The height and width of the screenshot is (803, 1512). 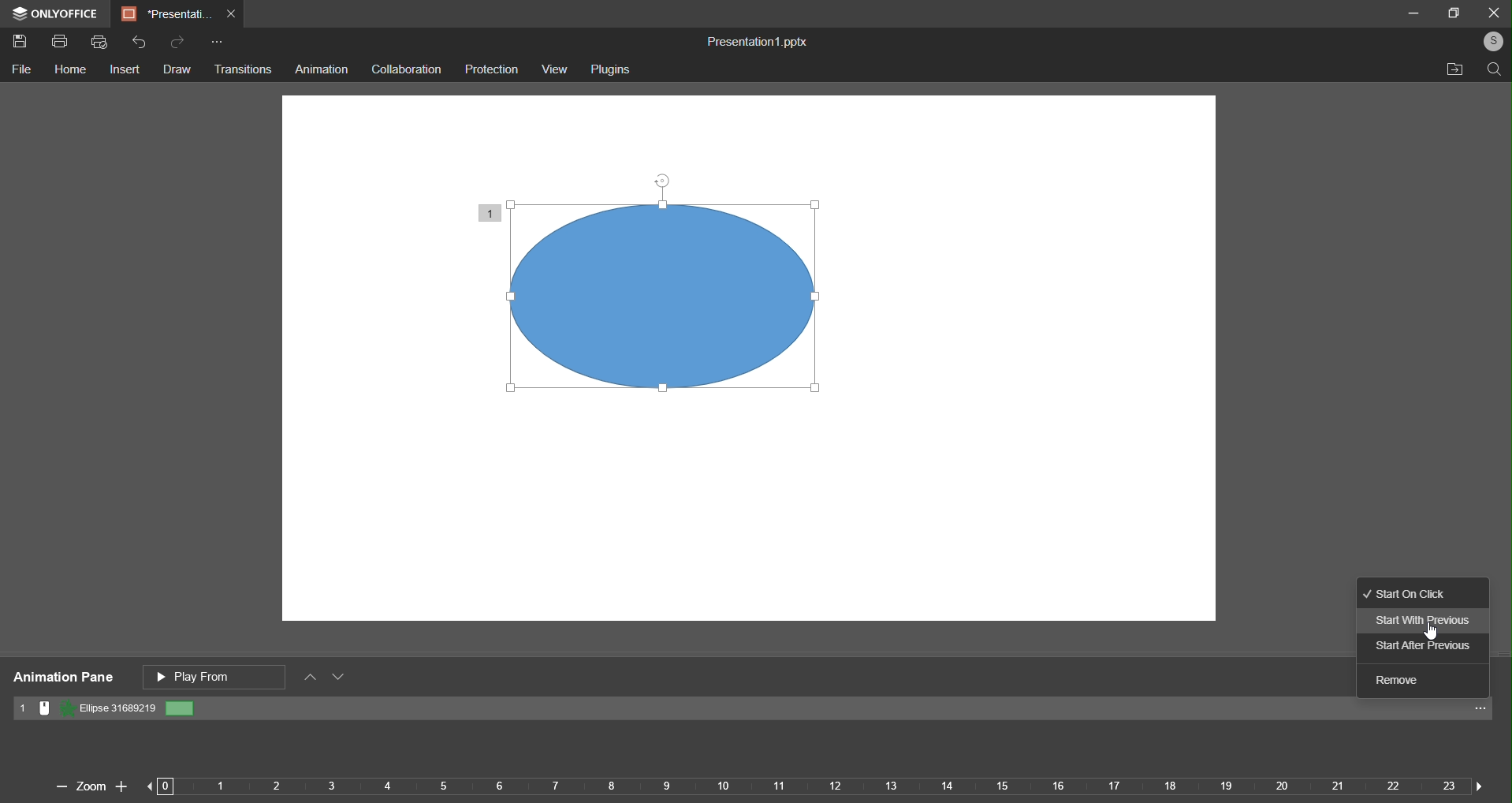 I want to click on Close Tab, so click(x=234, y=15).